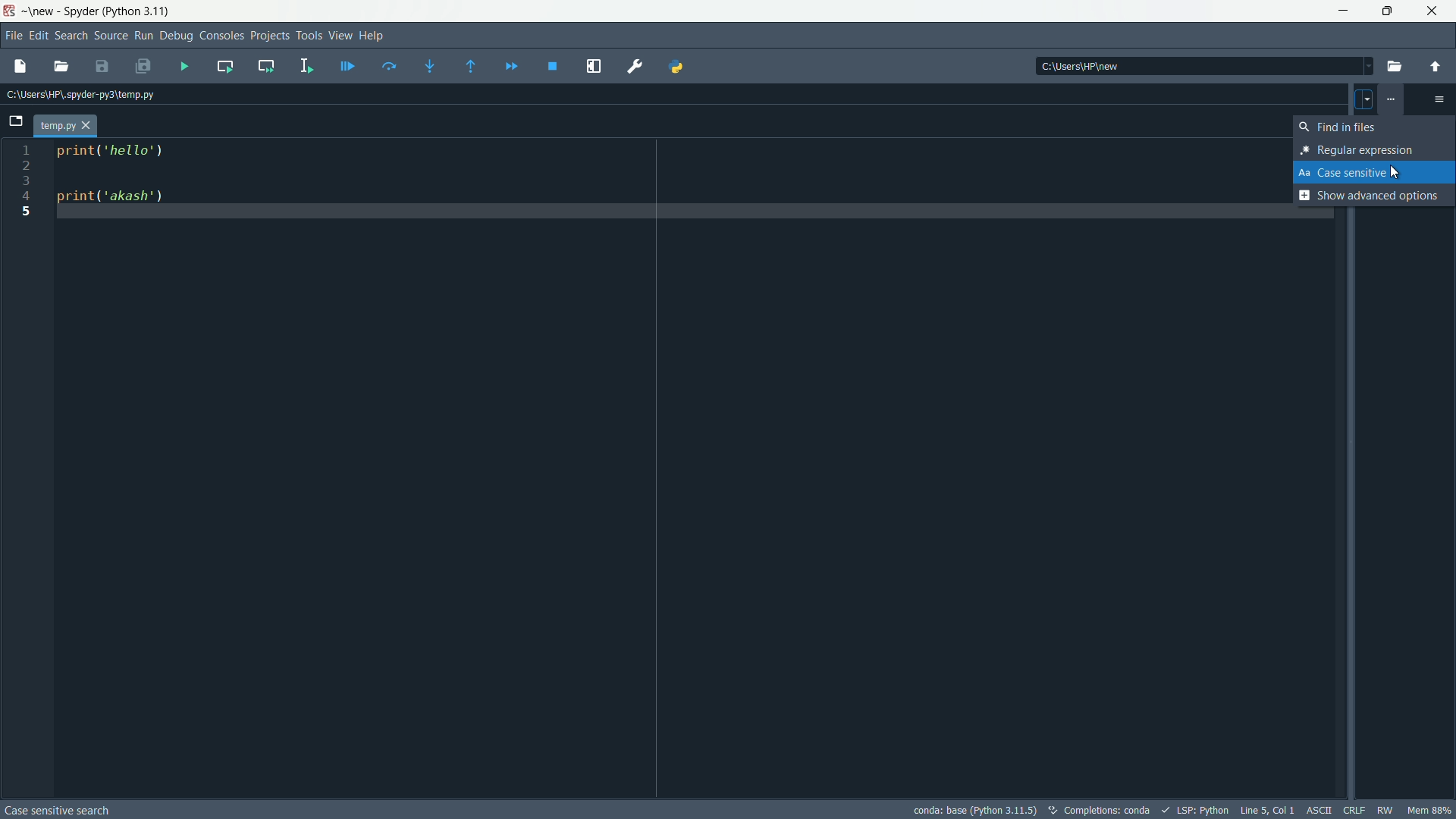  What do you see at coordinates (1198, 808) in the screenshot?
I see `LSP: Python` at bounding box center [1198, 808].